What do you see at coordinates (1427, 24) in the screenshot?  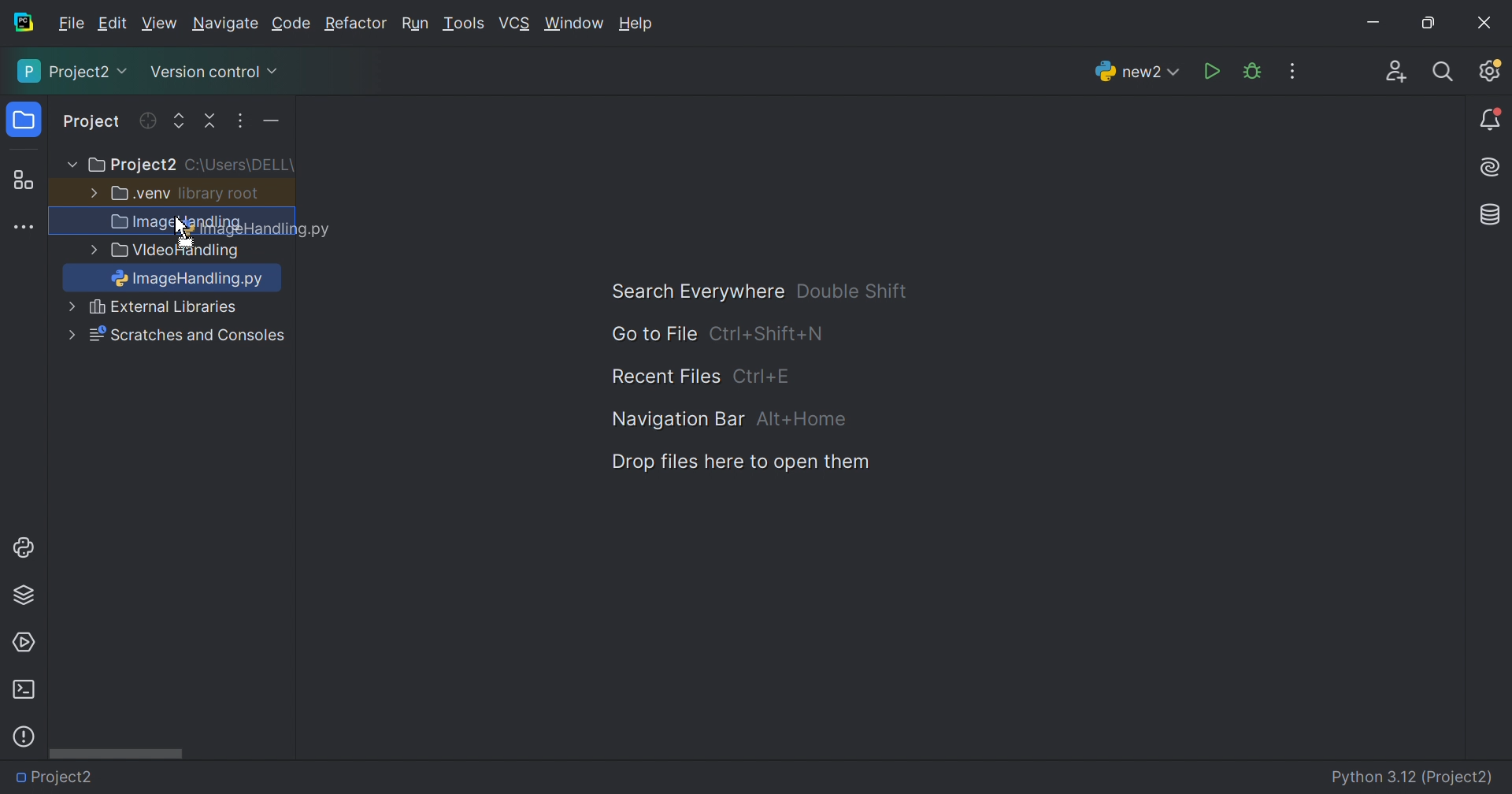 I see `Restore down` at bounding box center [1427, 24].